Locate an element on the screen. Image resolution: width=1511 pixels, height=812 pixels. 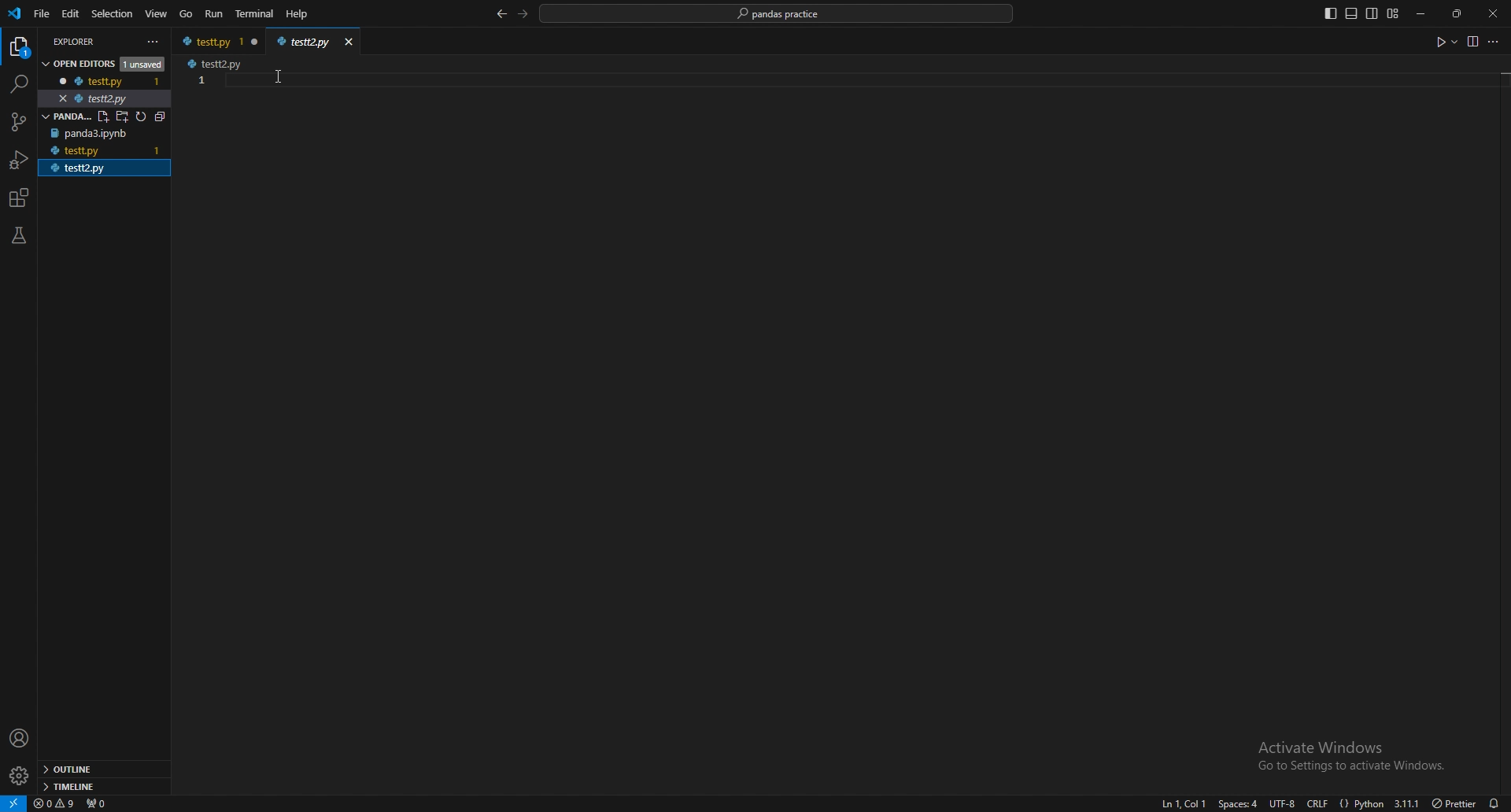
ln1, col1 is located at coordinates (1177, 804).